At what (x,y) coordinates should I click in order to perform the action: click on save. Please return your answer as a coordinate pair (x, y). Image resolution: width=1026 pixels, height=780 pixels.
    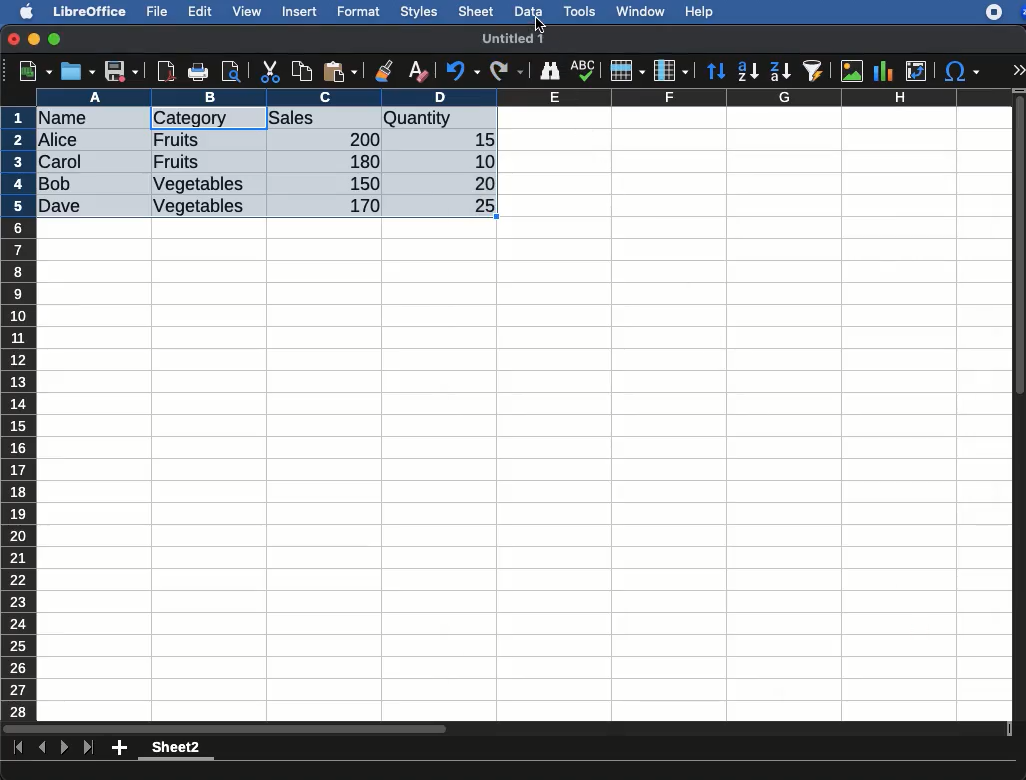
    Looking at the image, I should click on (122, 73).